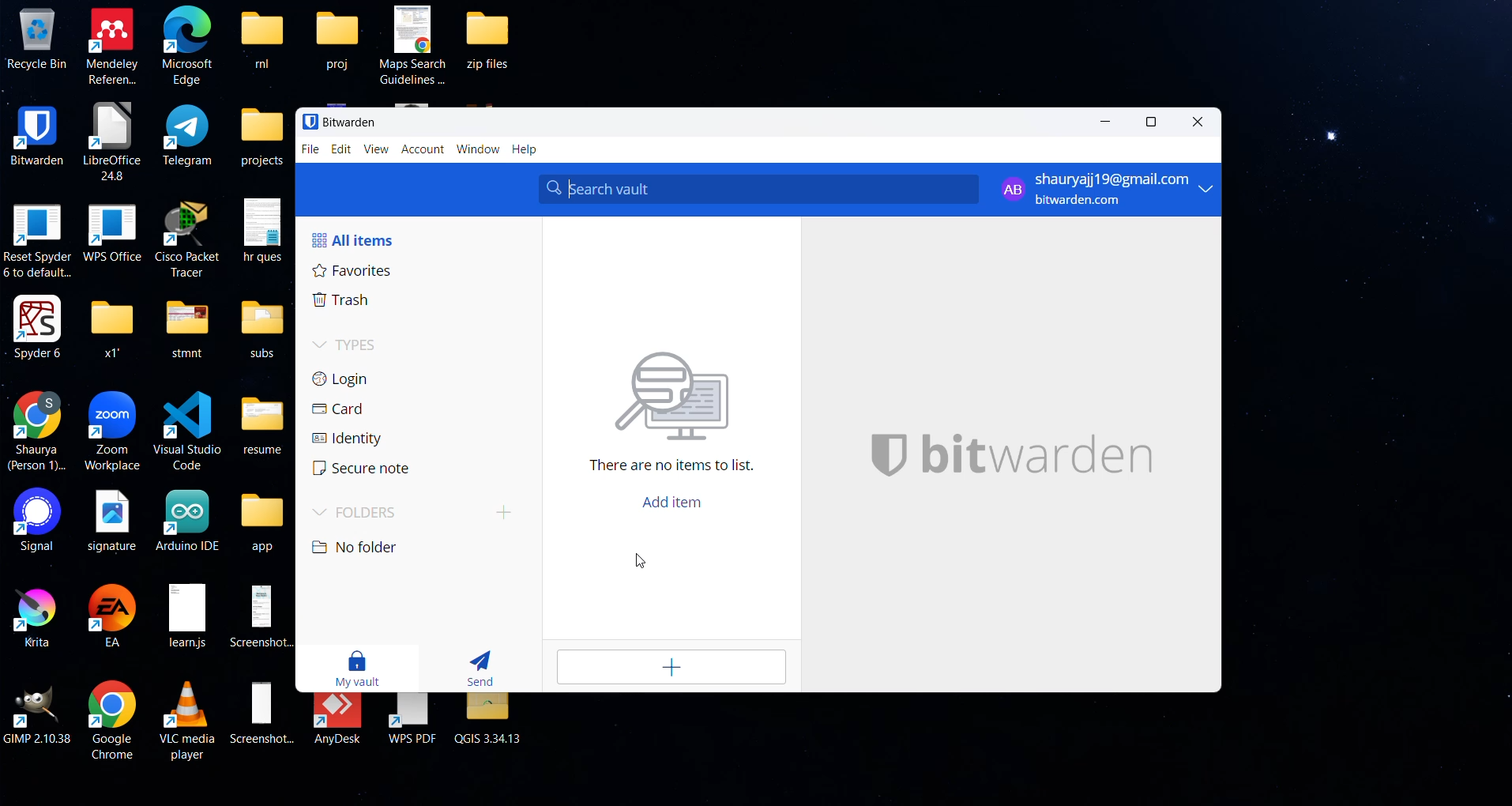 Image resolution: width=1512 pixels, height=806 pixels. Describe the element at coordinates (110, 326) in the screenshot. I see `x1"` at that location.